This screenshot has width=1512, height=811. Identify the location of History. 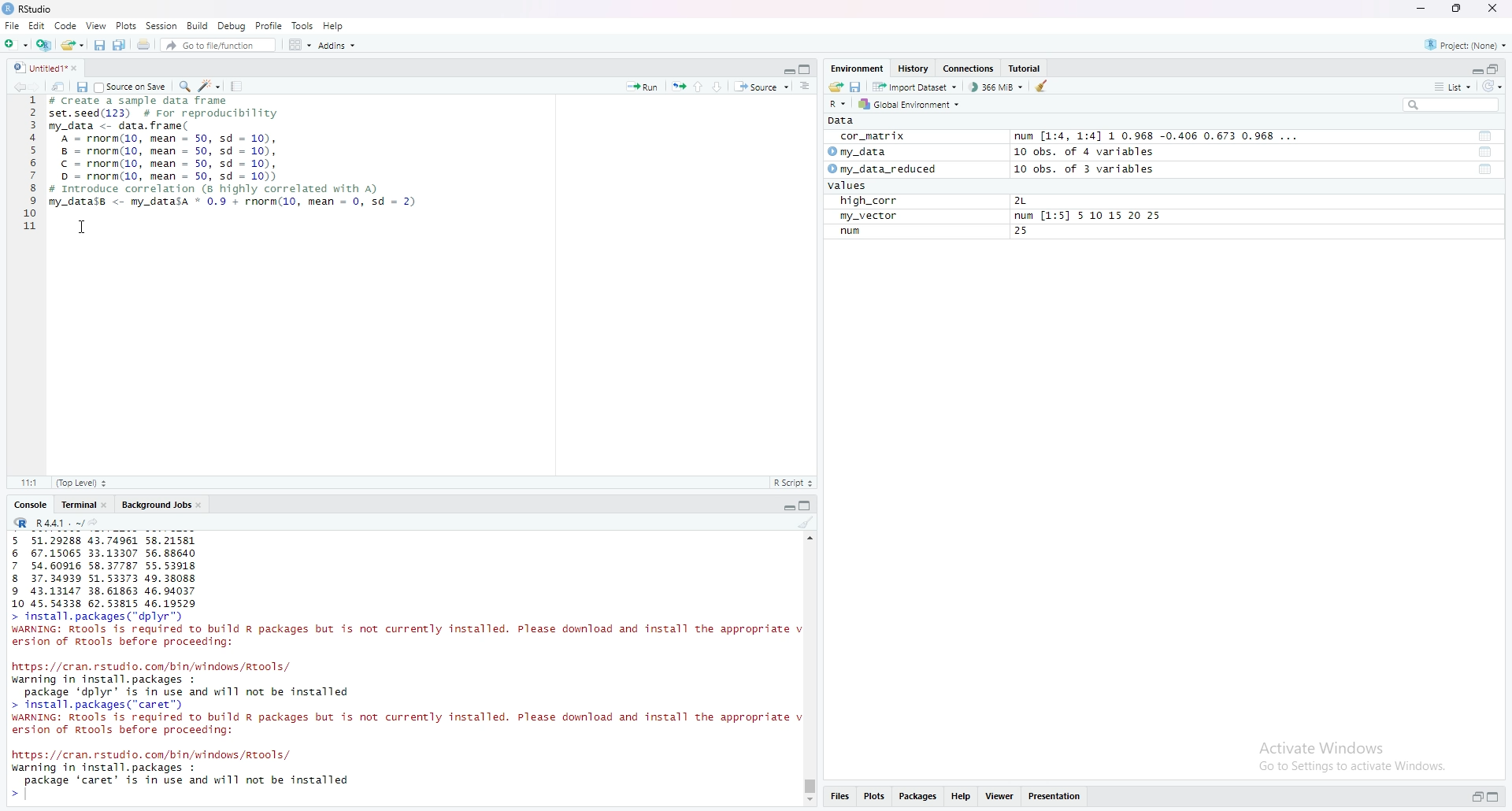
(914, 67).